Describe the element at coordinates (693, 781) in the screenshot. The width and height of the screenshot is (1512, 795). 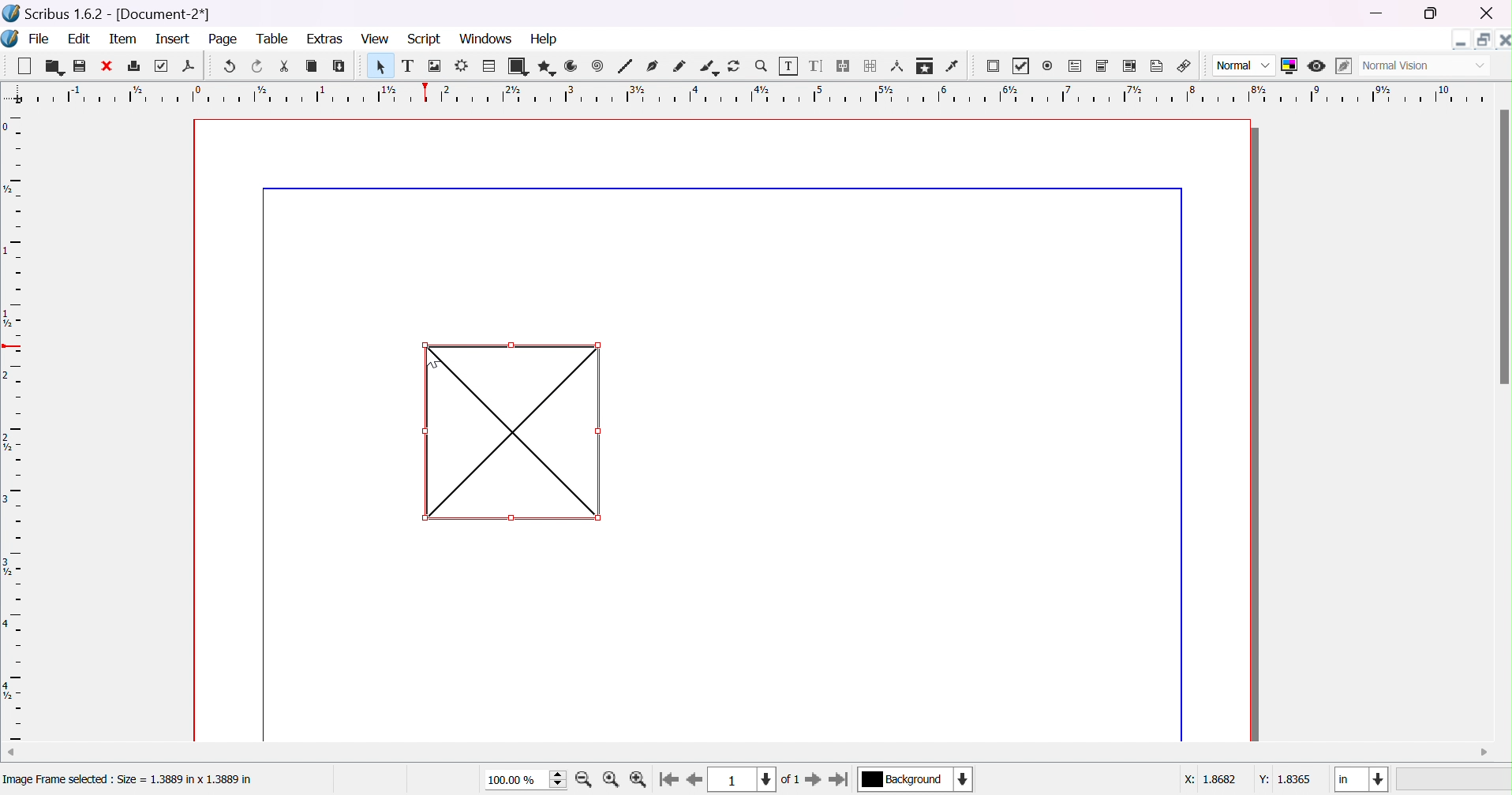
I see `go to previous page` at that location.